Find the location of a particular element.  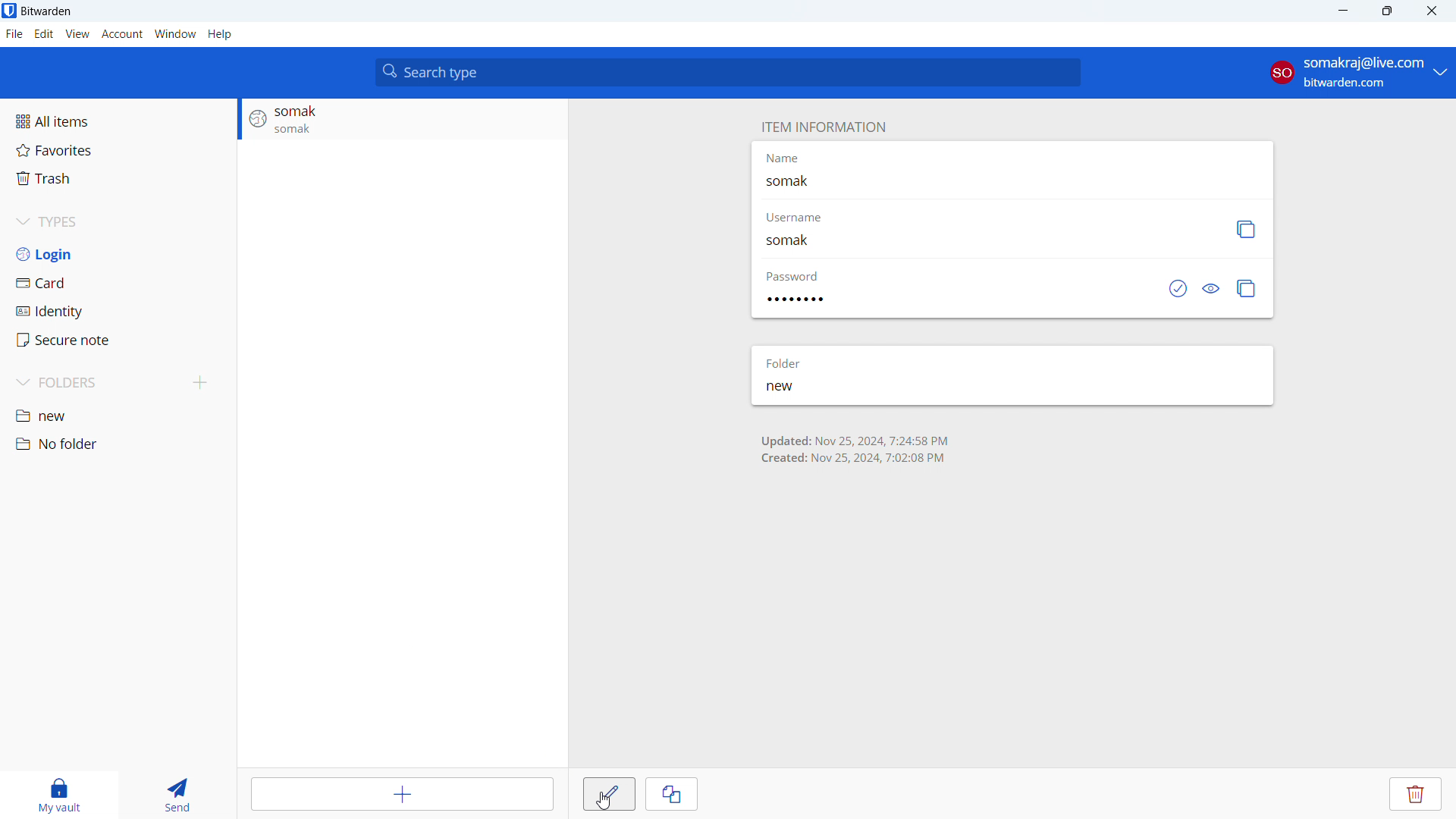

toggle visibility is located at coordinates (1213, 288).